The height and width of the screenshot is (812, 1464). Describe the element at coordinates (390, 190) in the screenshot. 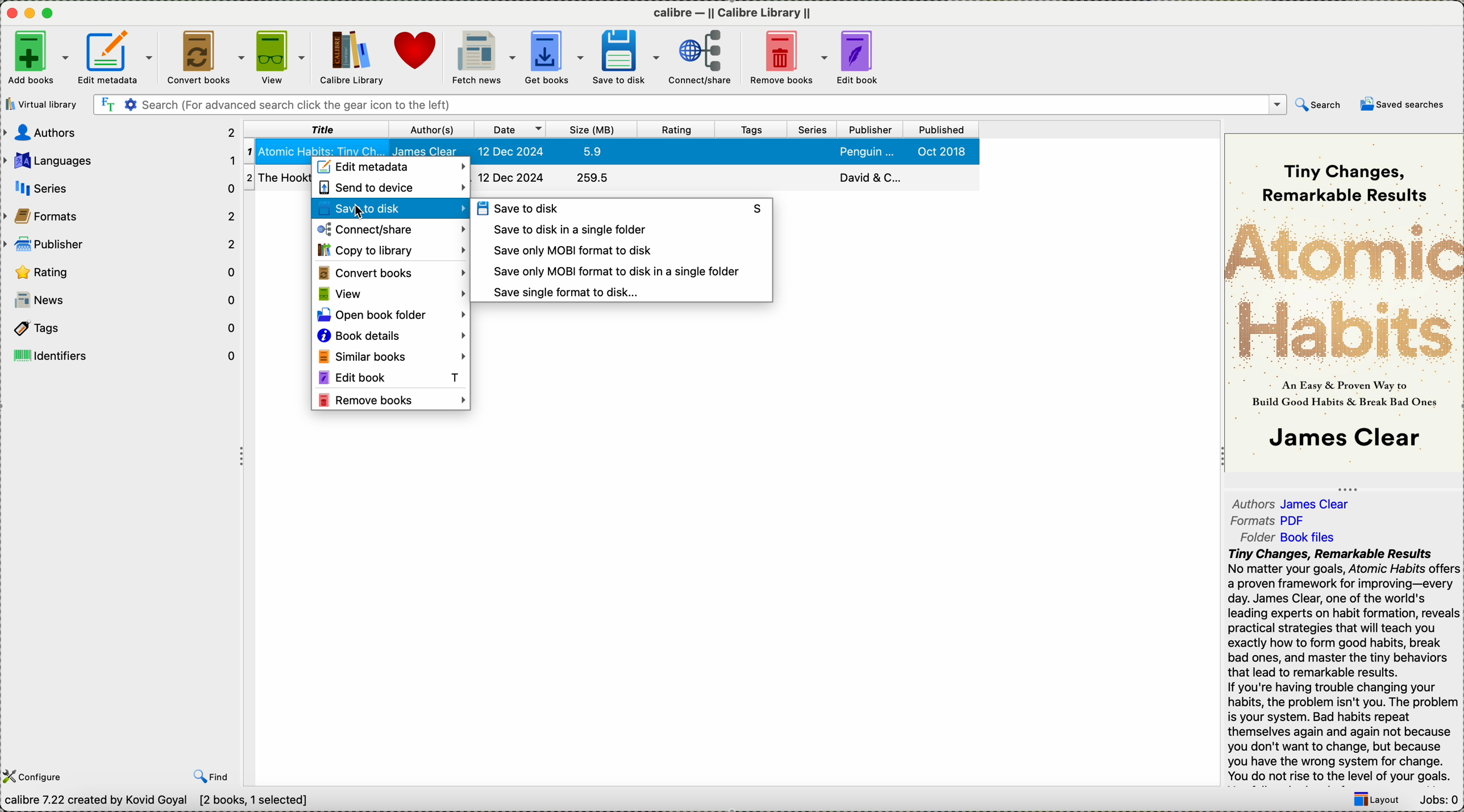

I see `send to device` at that location.